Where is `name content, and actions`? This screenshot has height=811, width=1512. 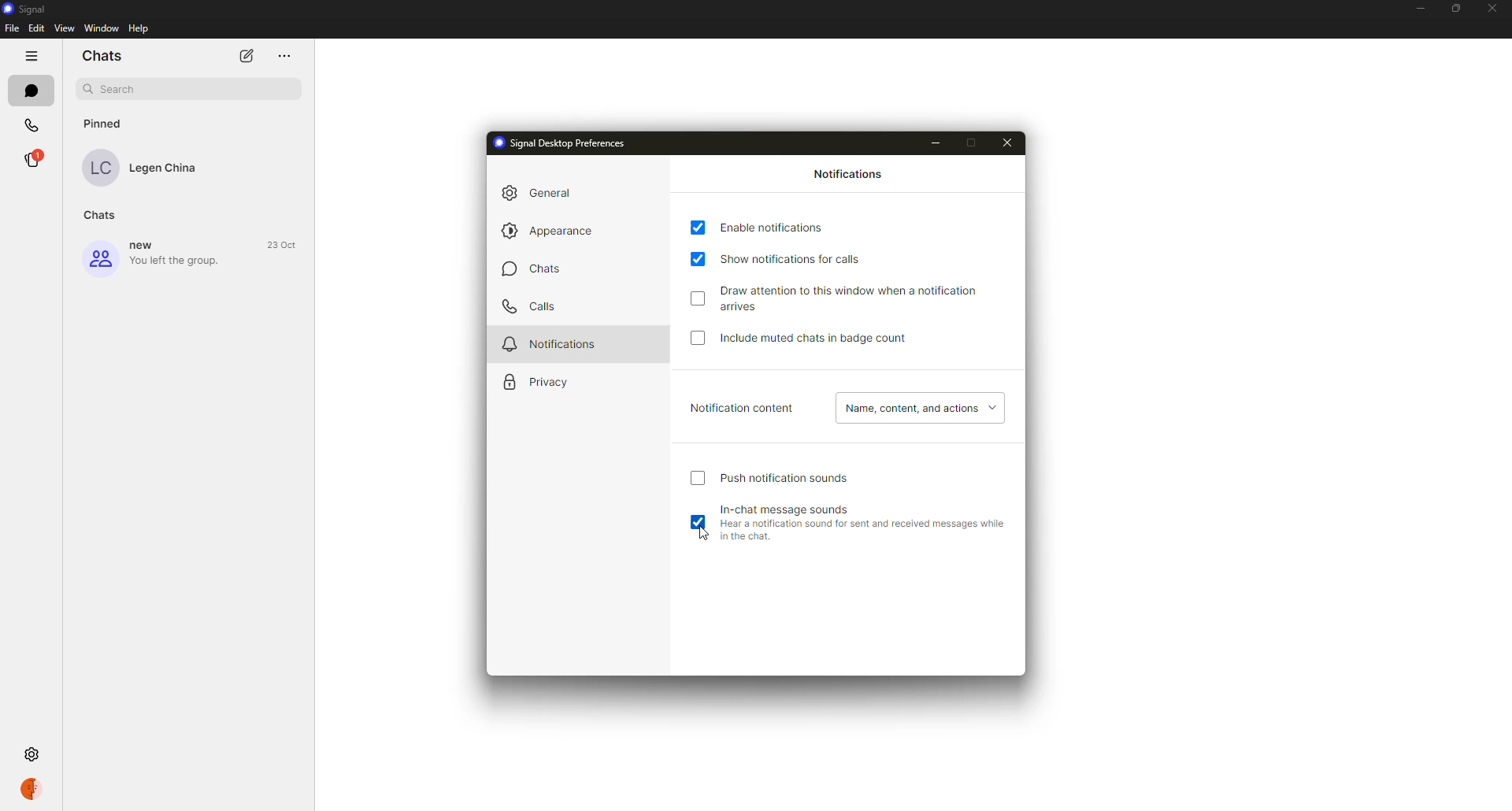 name content, and actions is located at coordinates (921, 409).